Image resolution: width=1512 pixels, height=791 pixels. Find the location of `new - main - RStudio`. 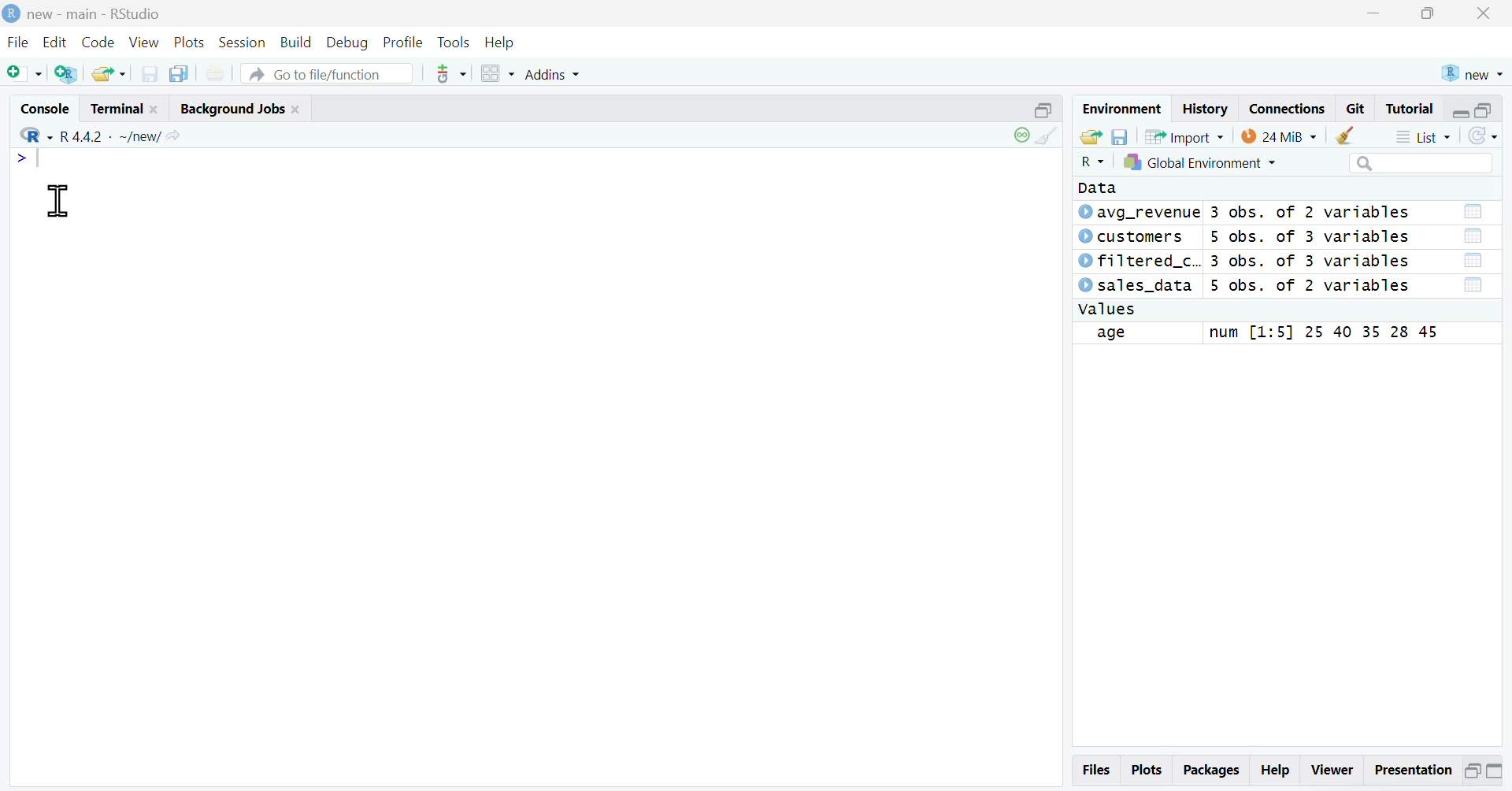

new - main - RStudio is located at coordinates (95, 14).